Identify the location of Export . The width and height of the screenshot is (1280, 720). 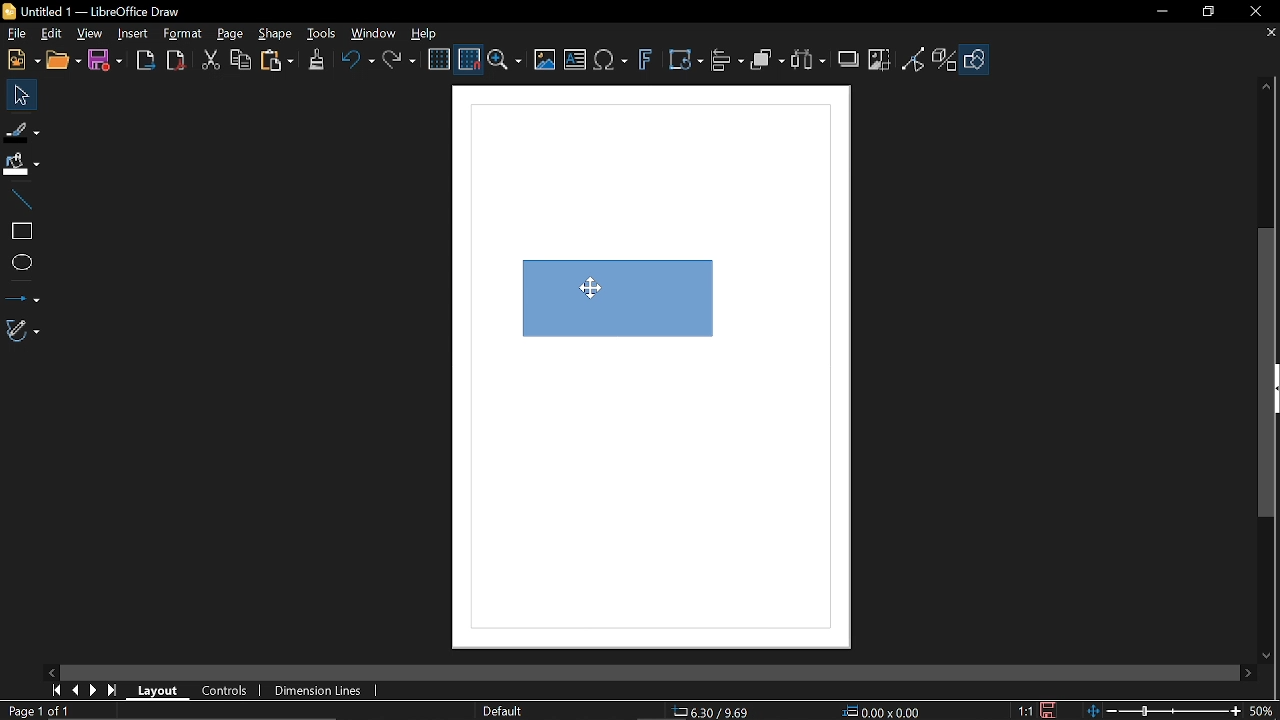
(145, 61).